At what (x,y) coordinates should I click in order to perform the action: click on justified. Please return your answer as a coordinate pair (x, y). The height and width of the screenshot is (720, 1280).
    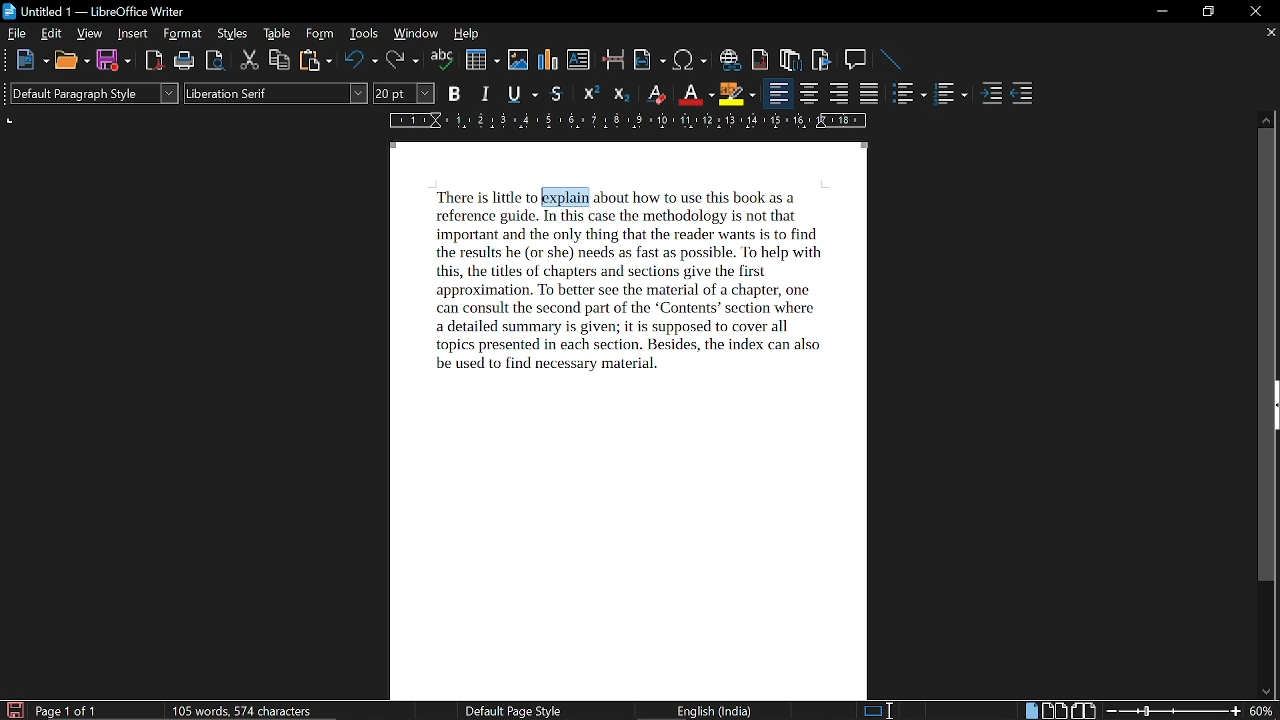
    Looking at the image, I should click on (871, 95).